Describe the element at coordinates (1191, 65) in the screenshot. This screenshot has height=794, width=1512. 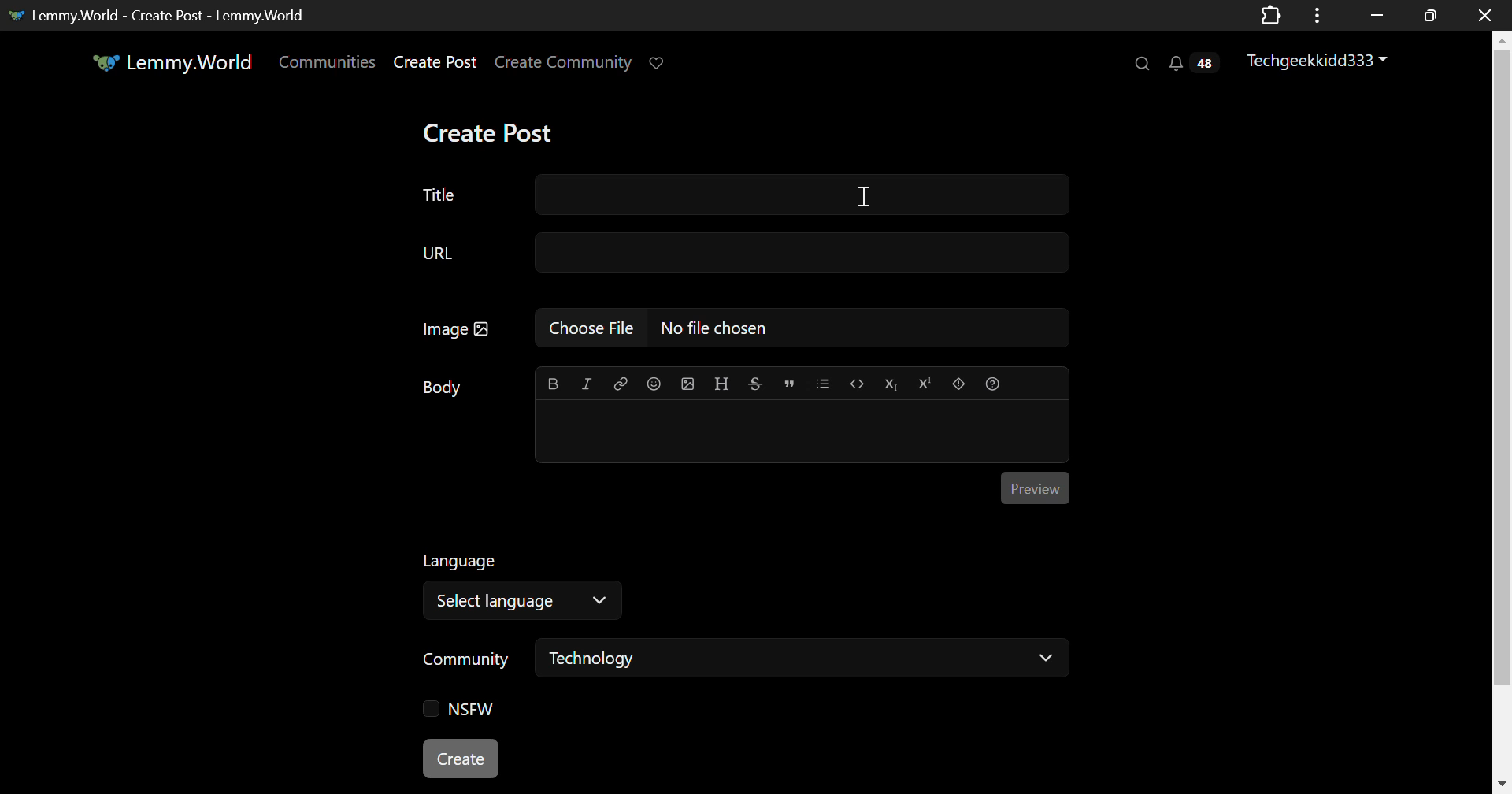
I see `Notifications ` at that location.